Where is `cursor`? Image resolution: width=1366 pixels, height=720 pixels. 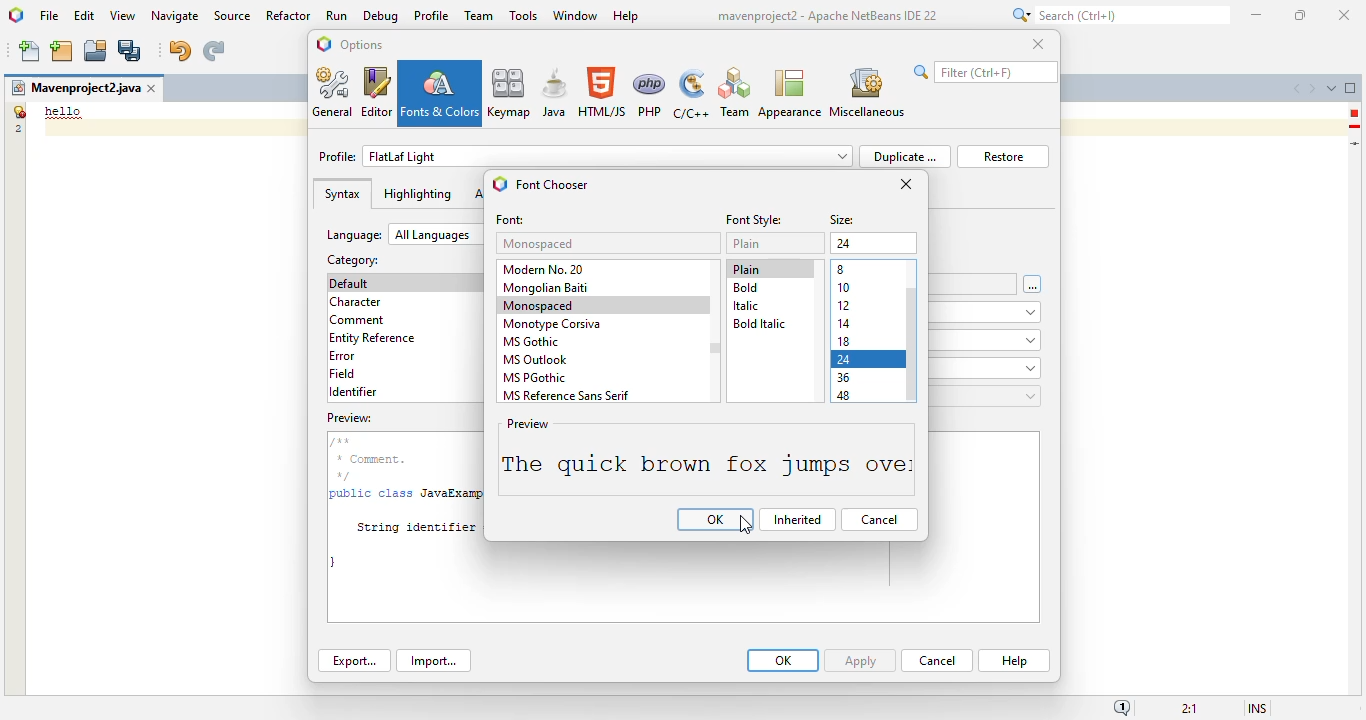
cursor is located at coordinates (746, 526).